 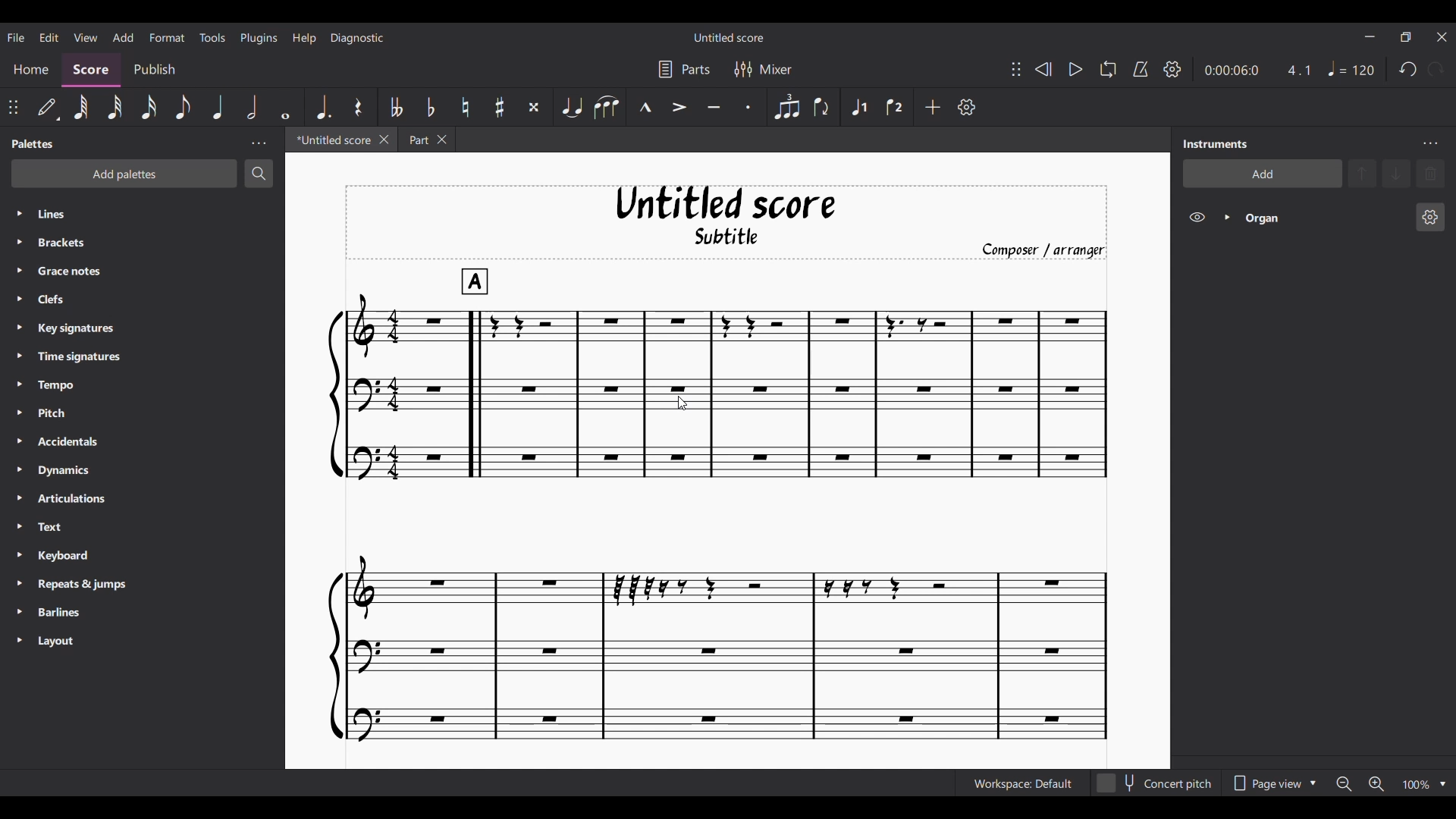 I want to click on Half note, so click(x=253, y=107).